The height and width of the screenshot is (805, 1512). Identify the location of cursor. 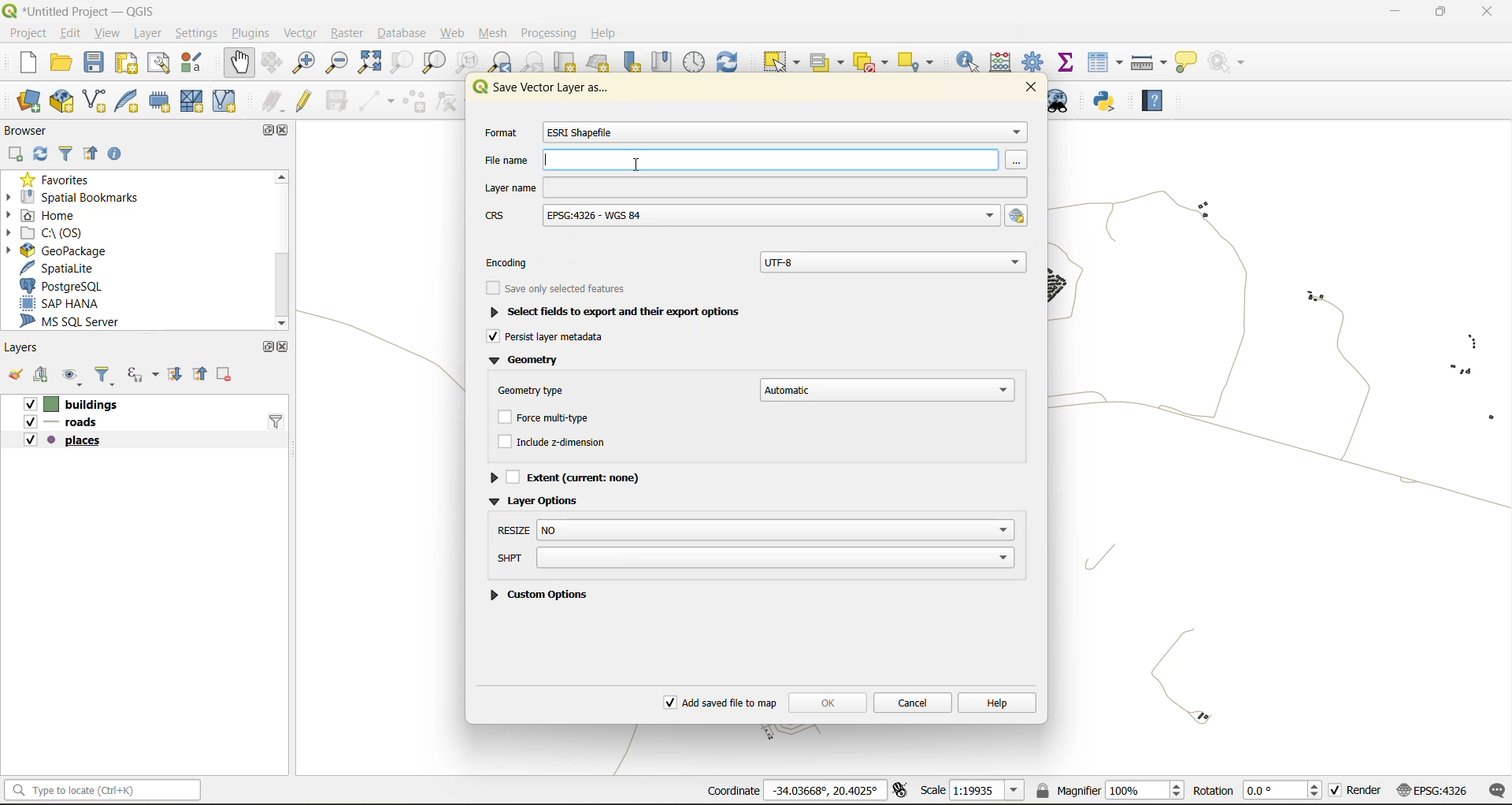
(636, 165).